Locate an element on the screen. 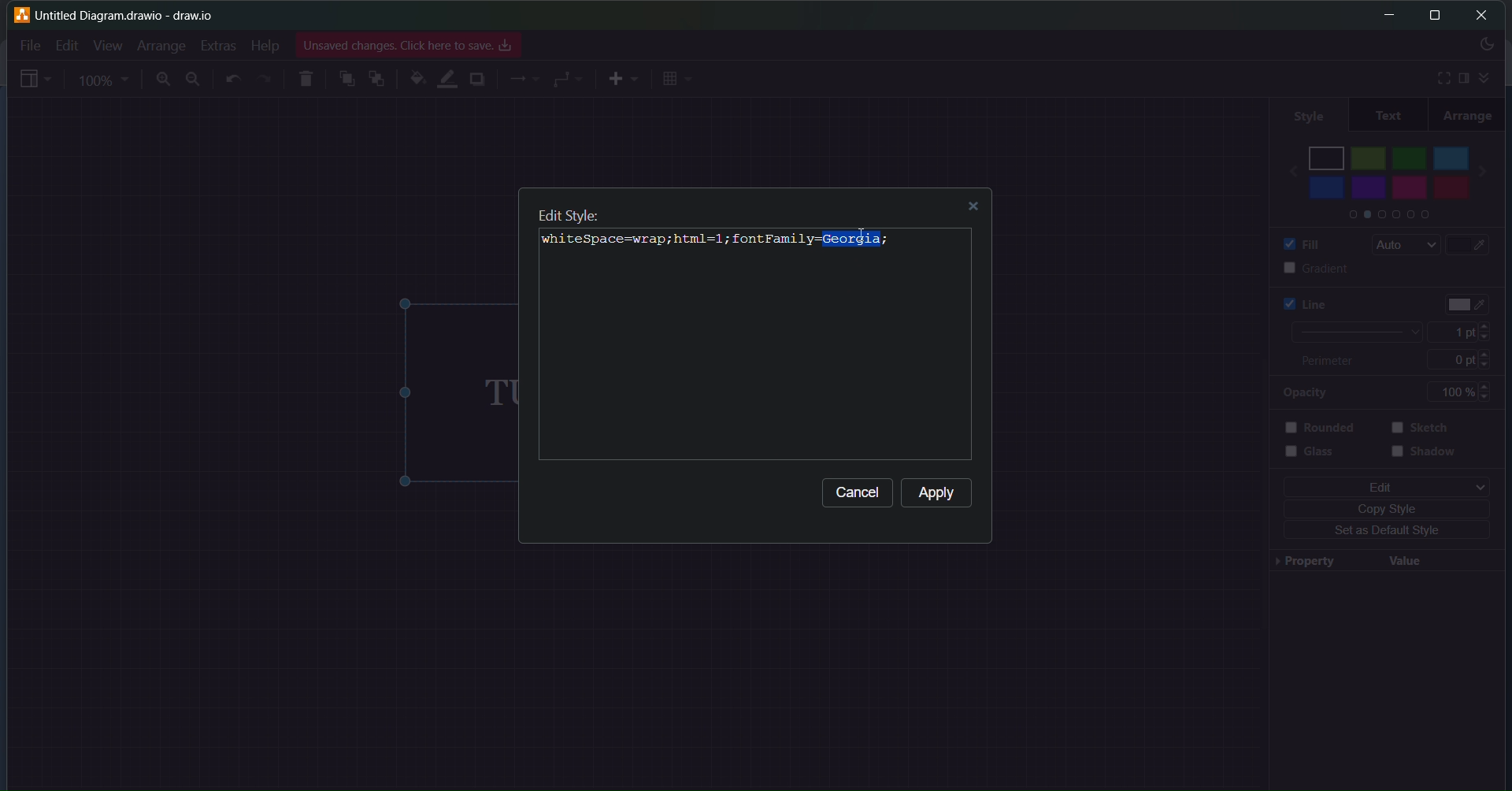 The width and height of the screenshot is (1512, 791). fill color is located at coordinates (1477, 245).